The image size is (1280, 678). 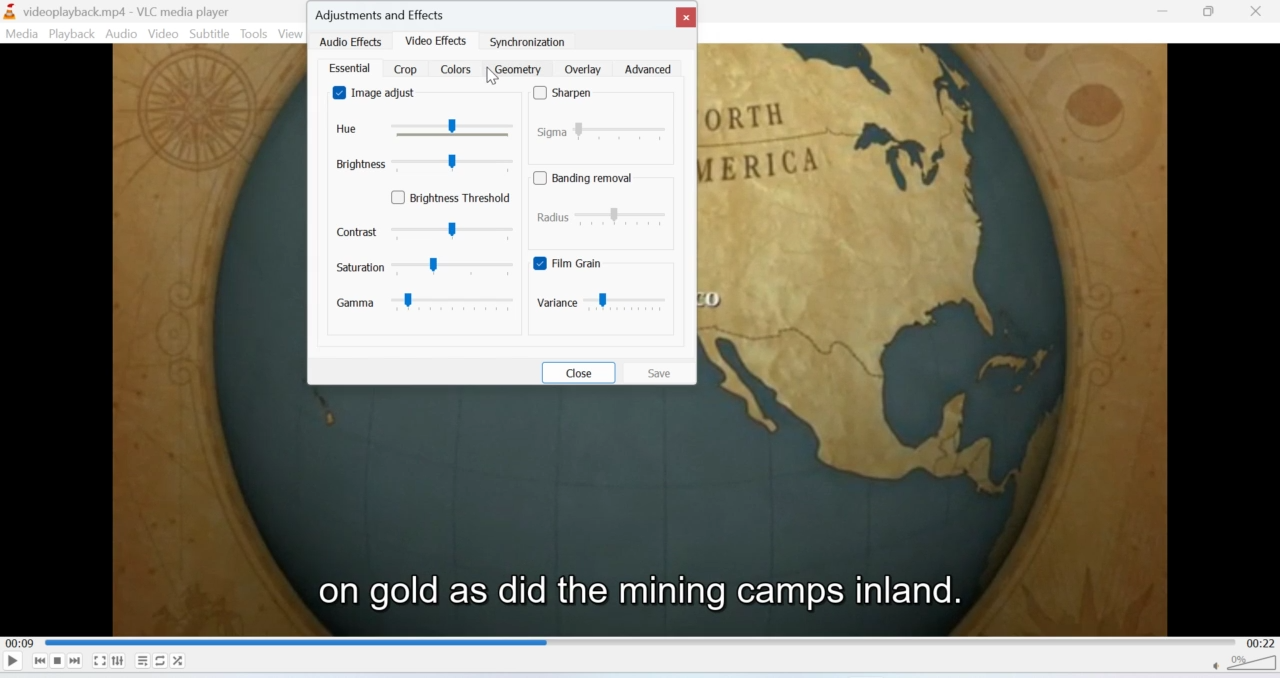 What do you see at coordinates (254, 34) in the screenshot?
I see `Tools` at bounding box center [254, 34].